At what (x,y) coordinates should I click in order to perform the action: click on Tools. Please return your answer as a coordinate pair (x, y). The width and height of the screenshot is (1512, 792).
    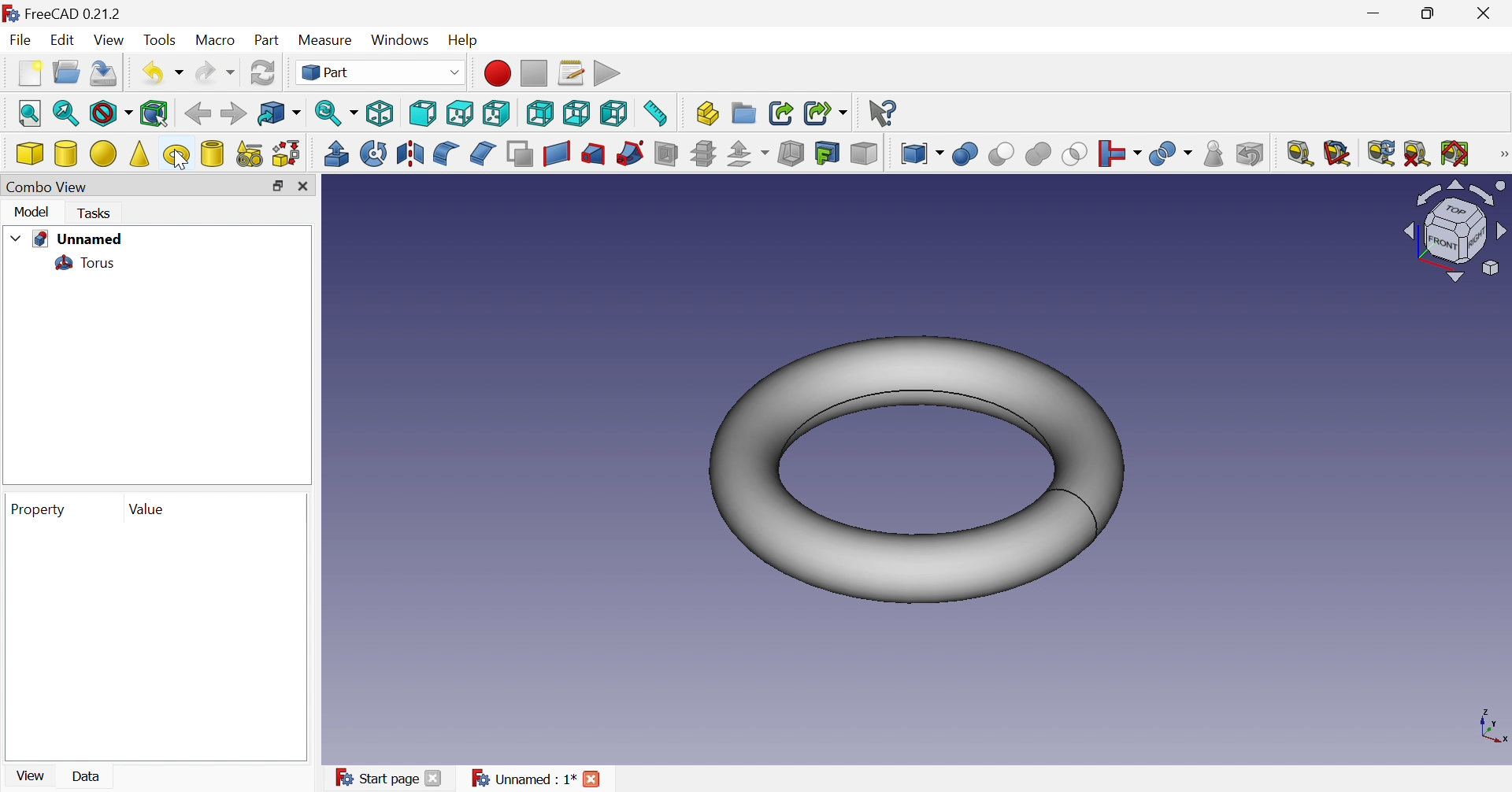
    Looking at the image, I should click on (159, 42).